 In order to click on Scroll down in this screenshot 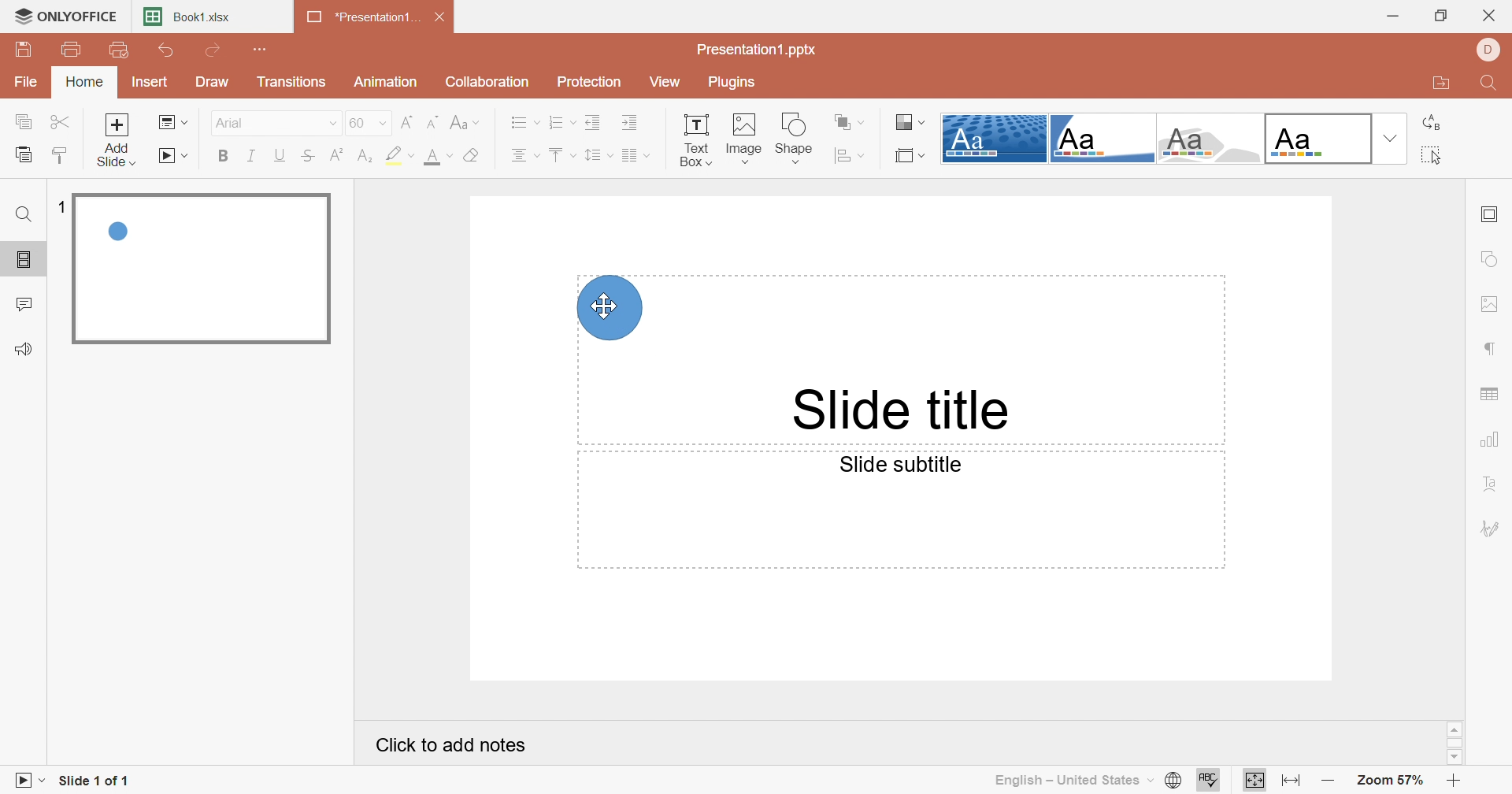, I will do `click(1453, 756)`.